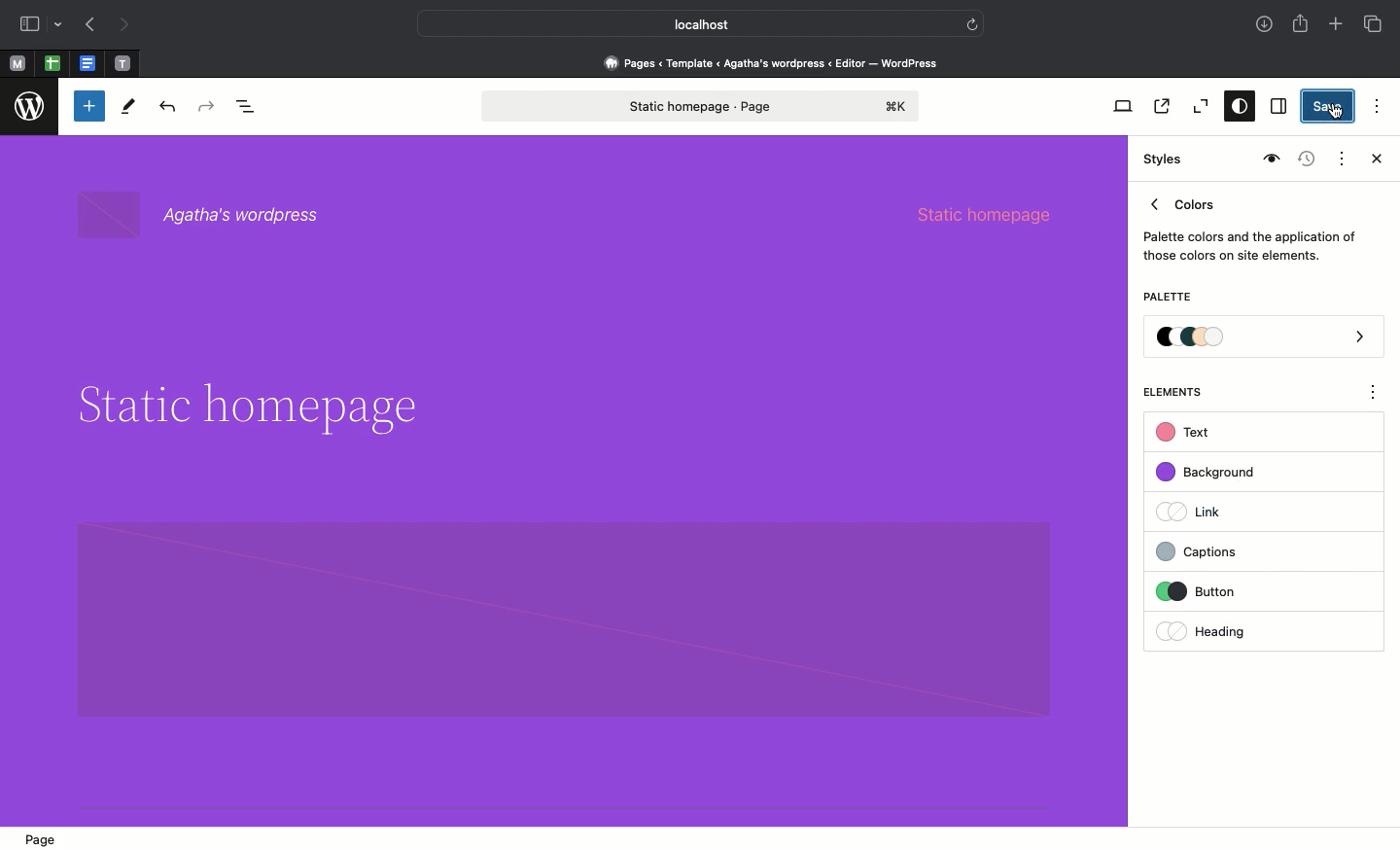  Describe the element at coordinates (124, 25) in the screenshot. I see `Next page` at that location.